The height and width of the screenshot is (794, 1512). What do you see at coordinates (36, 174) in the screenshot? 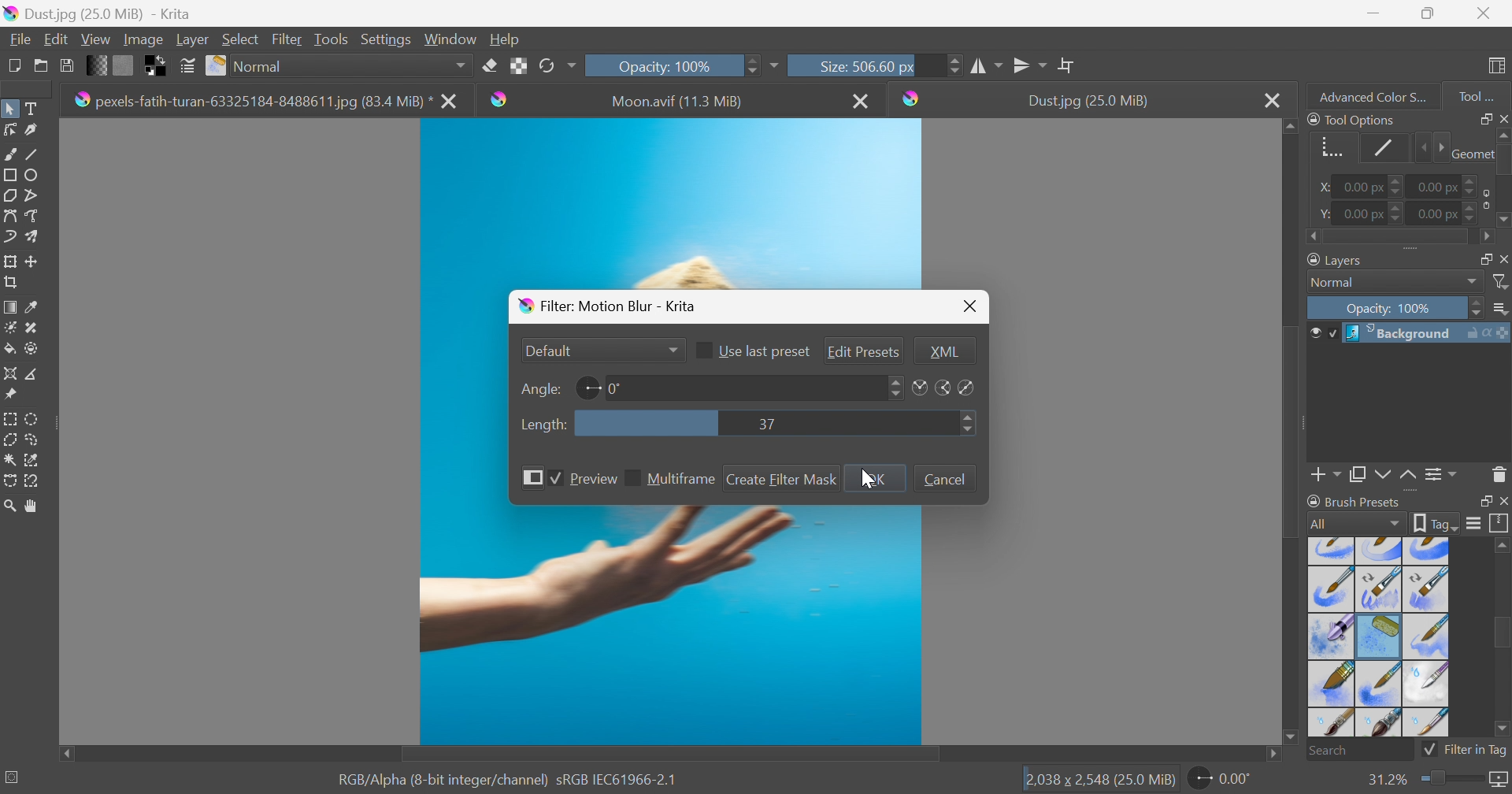
I see `Ellipse tool` at bounding box center [36, 174].